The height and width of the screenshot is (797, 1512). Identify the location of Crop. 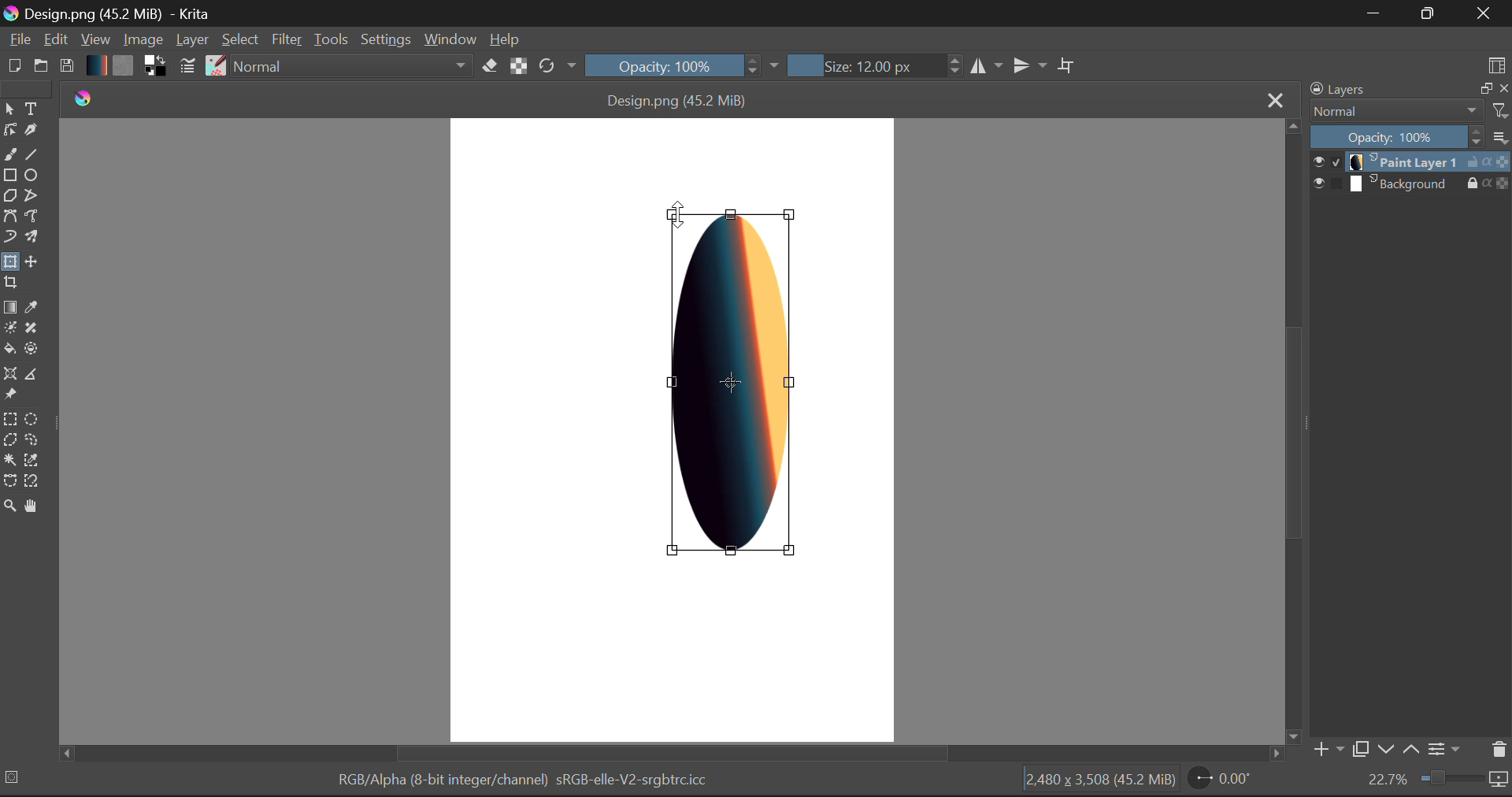
(10, 285).